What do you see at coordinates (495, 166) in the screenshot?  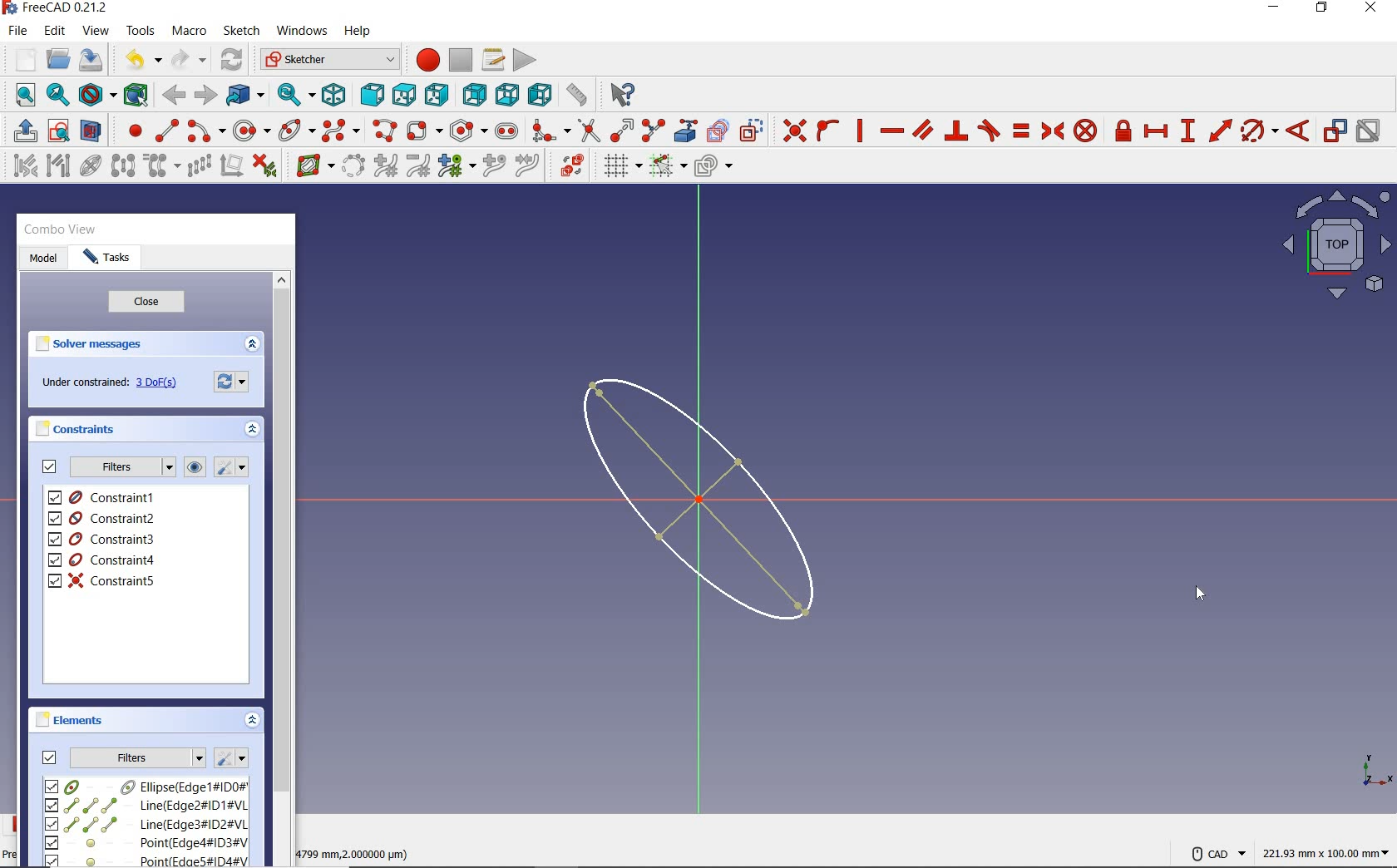 I see `insert knot` at bounding box center [495, 166].